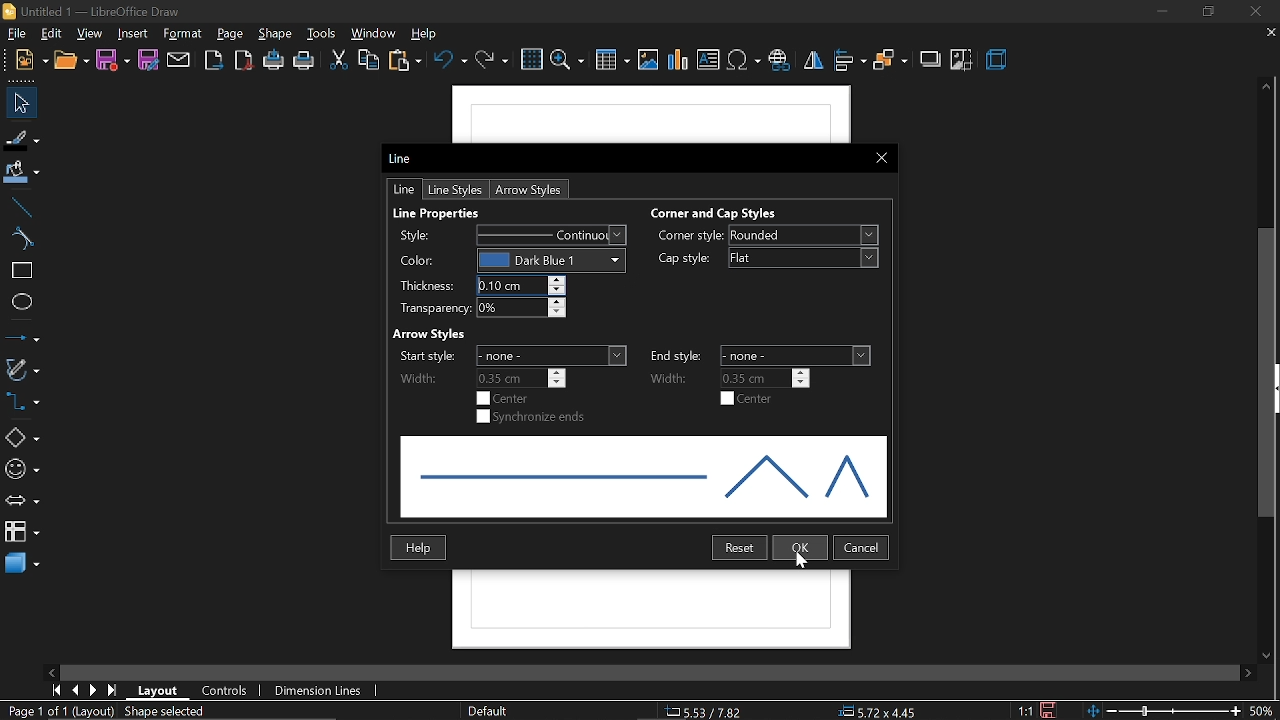 The image size is (1280, 720). I want to click on arrange, so click(889, 63).